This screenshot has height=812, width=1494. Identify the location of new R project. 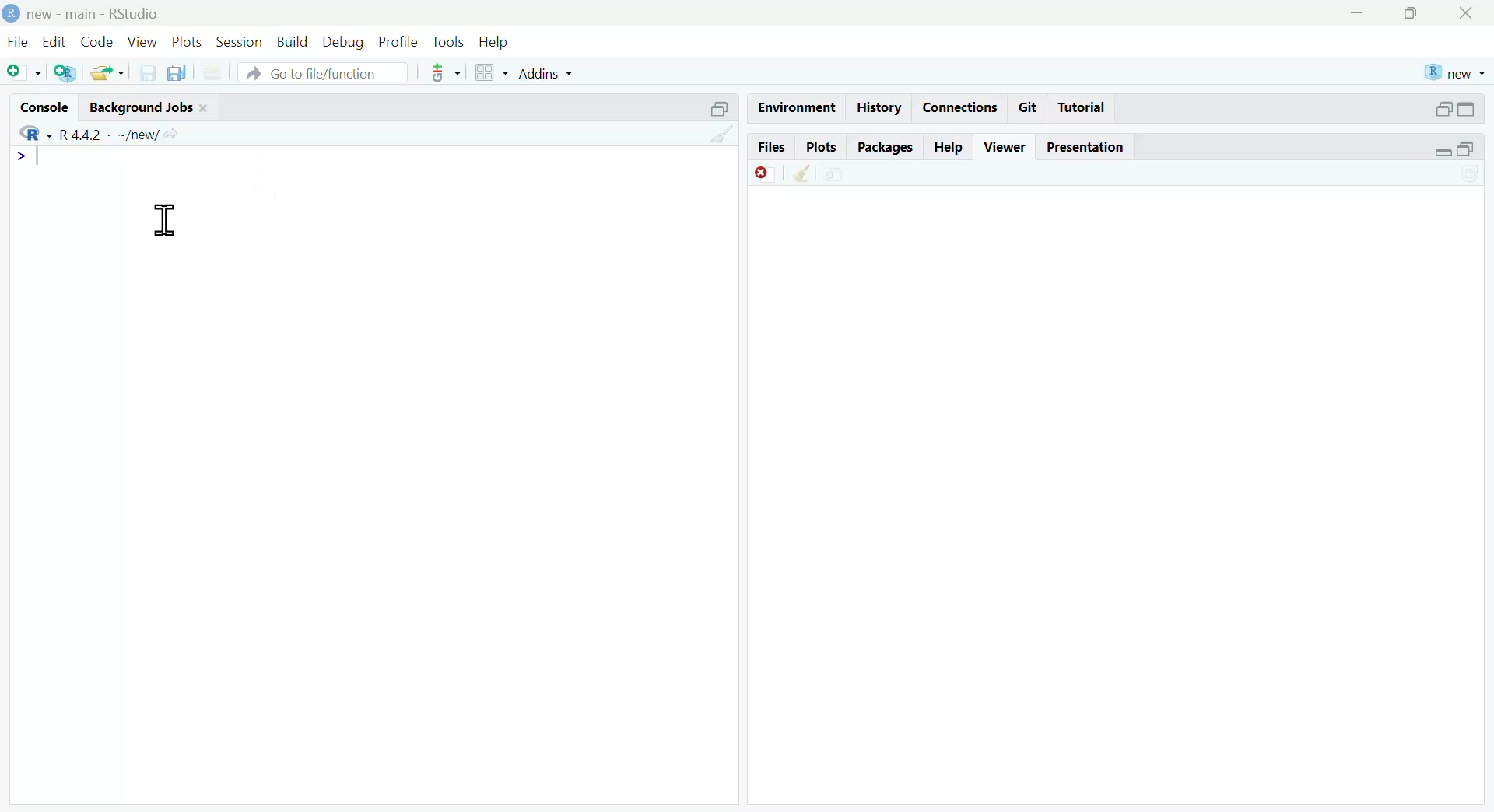
(1455, 70).